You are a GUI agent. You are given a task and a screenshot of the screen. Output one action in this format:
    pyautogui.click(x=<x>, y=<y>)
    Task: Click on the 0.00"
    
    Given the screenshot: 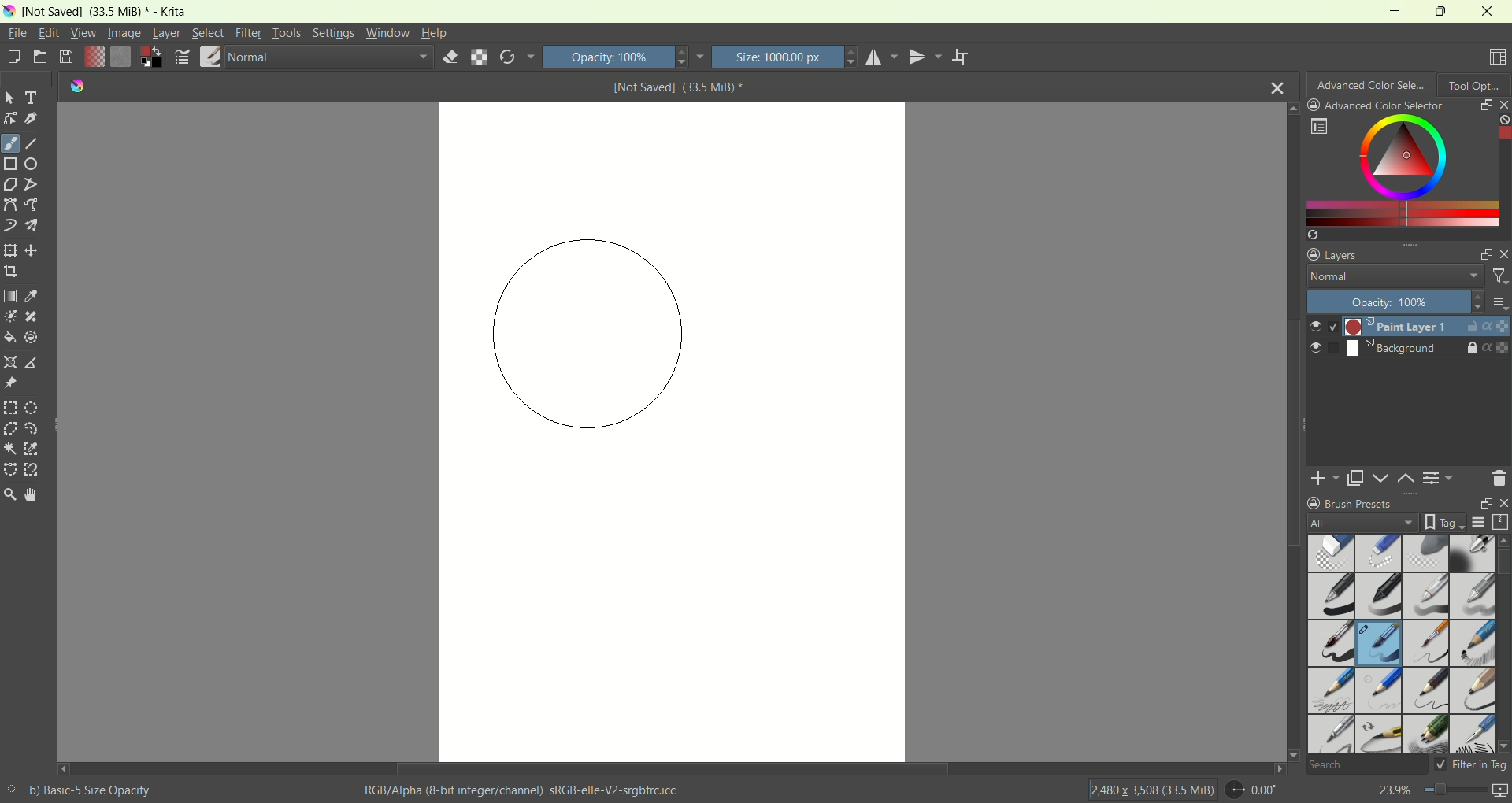 What is the action you would take?
    pyautogui.click(x=1254, y=790)
    